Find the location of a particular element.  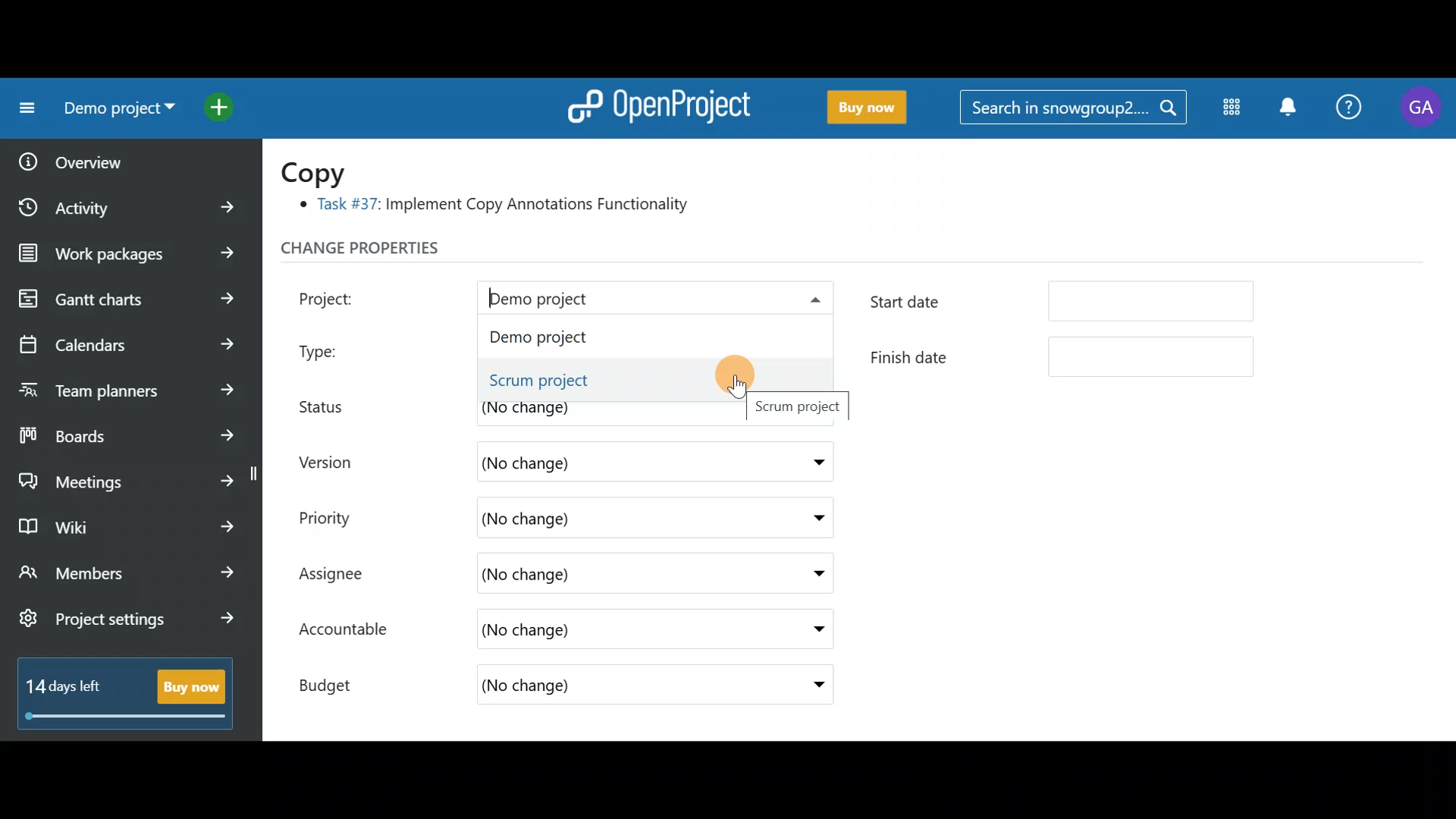

Project drop down is located at coordinates (810, 303).